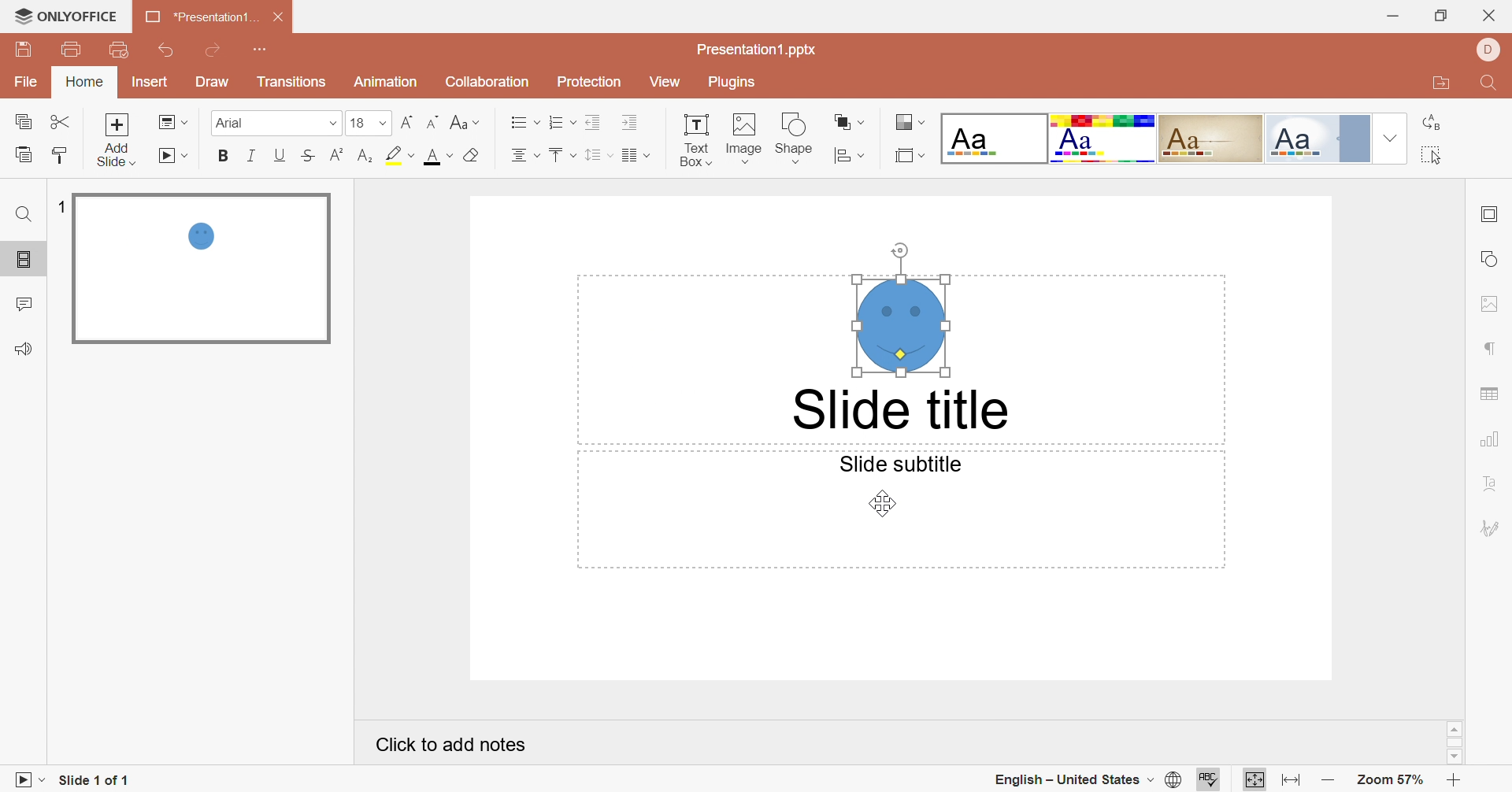 Image resolution: width=1512 pixels, height=792 pixels. What do you see at coordinates (882, 501) in the screenshot?
I see `Cursor` at bounding box center [882, 501].